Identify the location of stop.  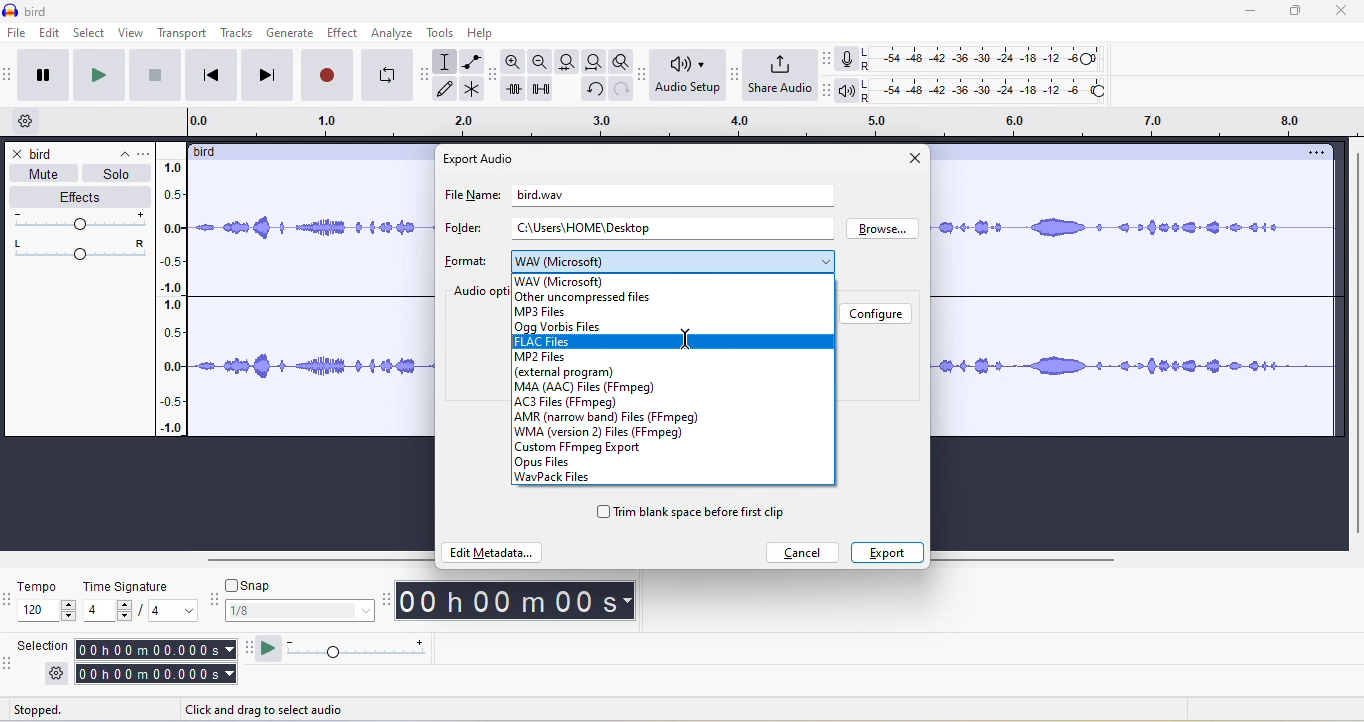
(157, 80).